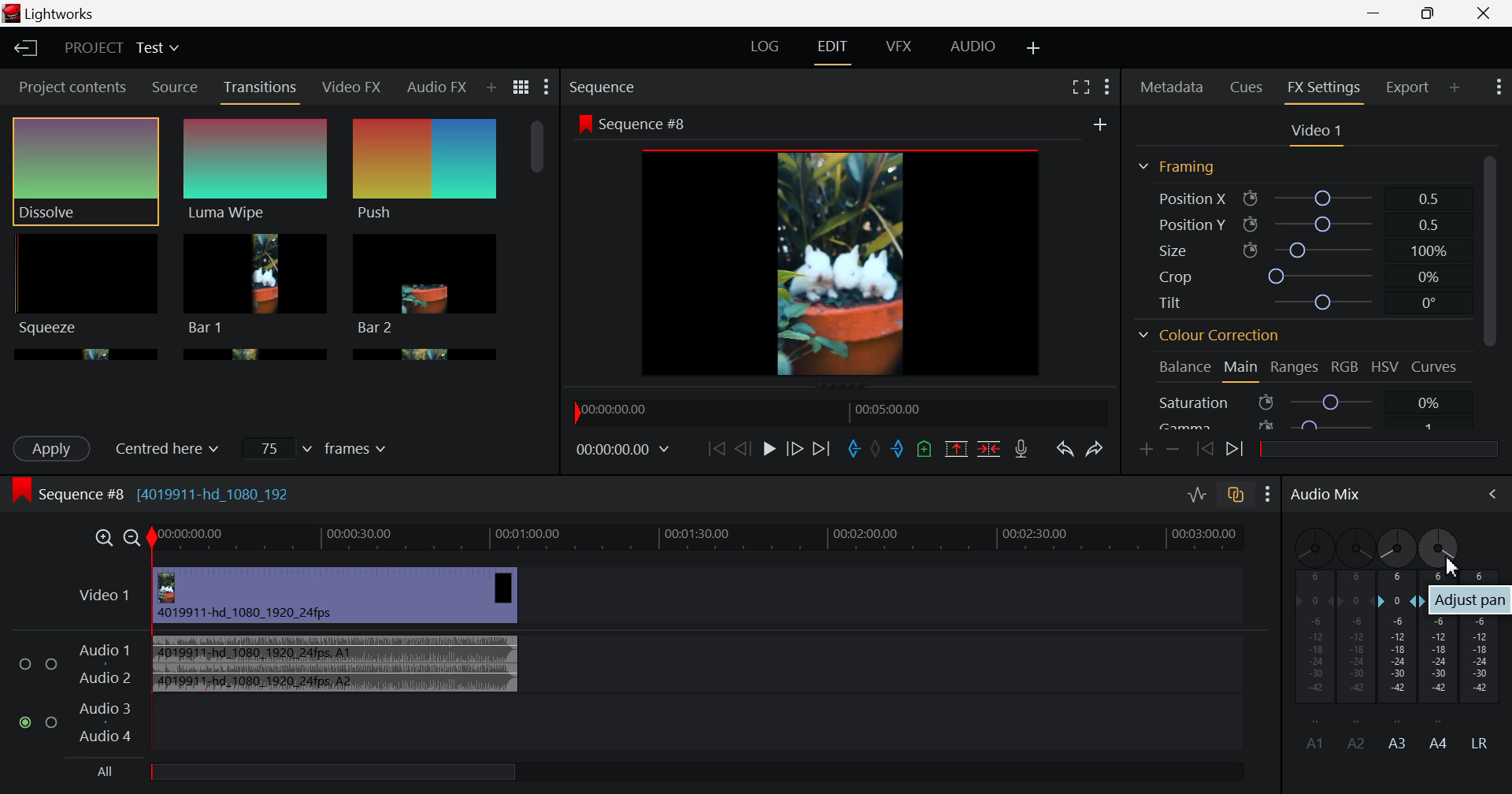  Describe the element at coordinates (1300, 247) in the screenshot. I see `Size` at that location.